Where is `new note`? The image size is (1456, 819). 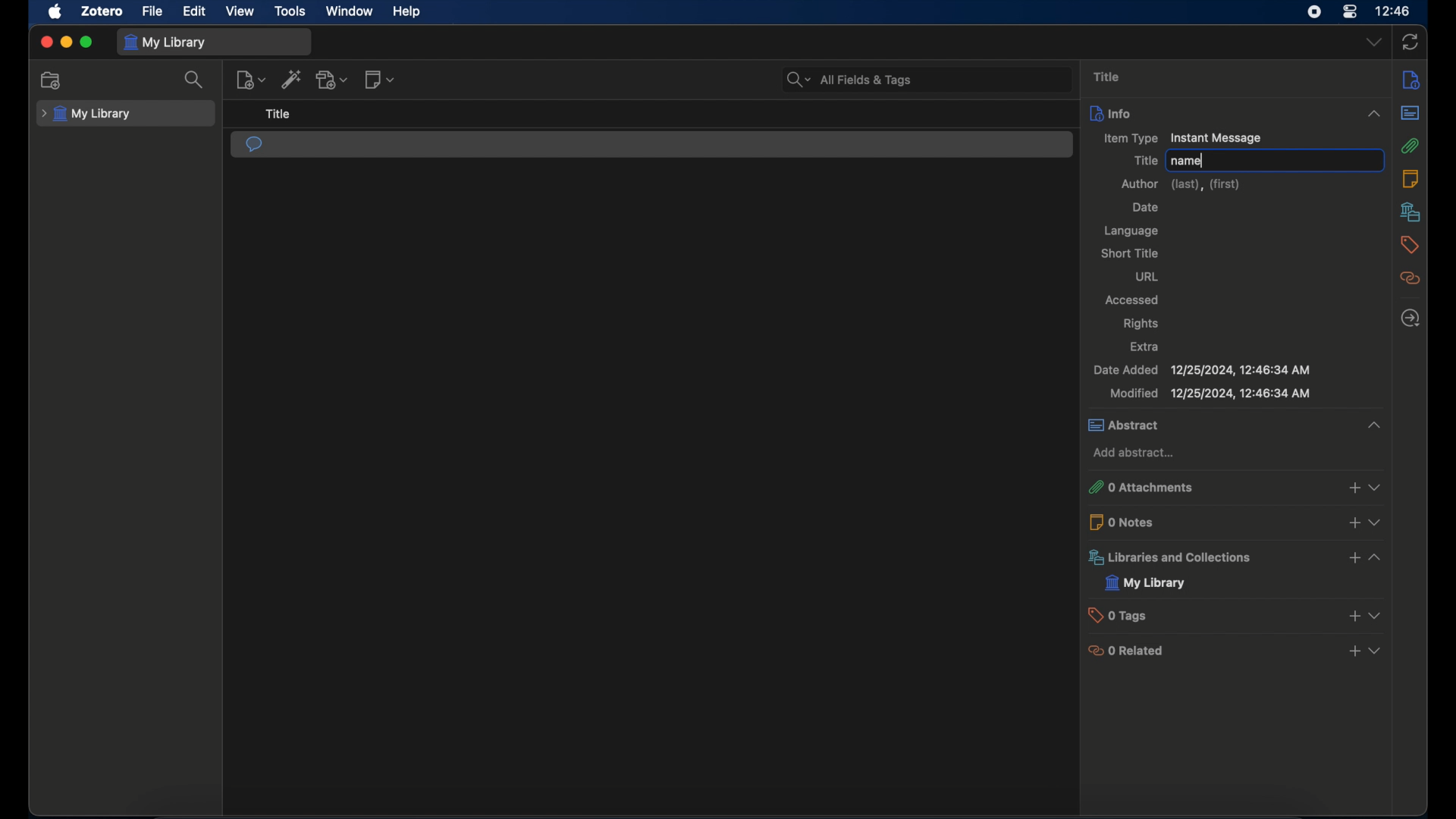 new note is located at coordinates (381, 80).